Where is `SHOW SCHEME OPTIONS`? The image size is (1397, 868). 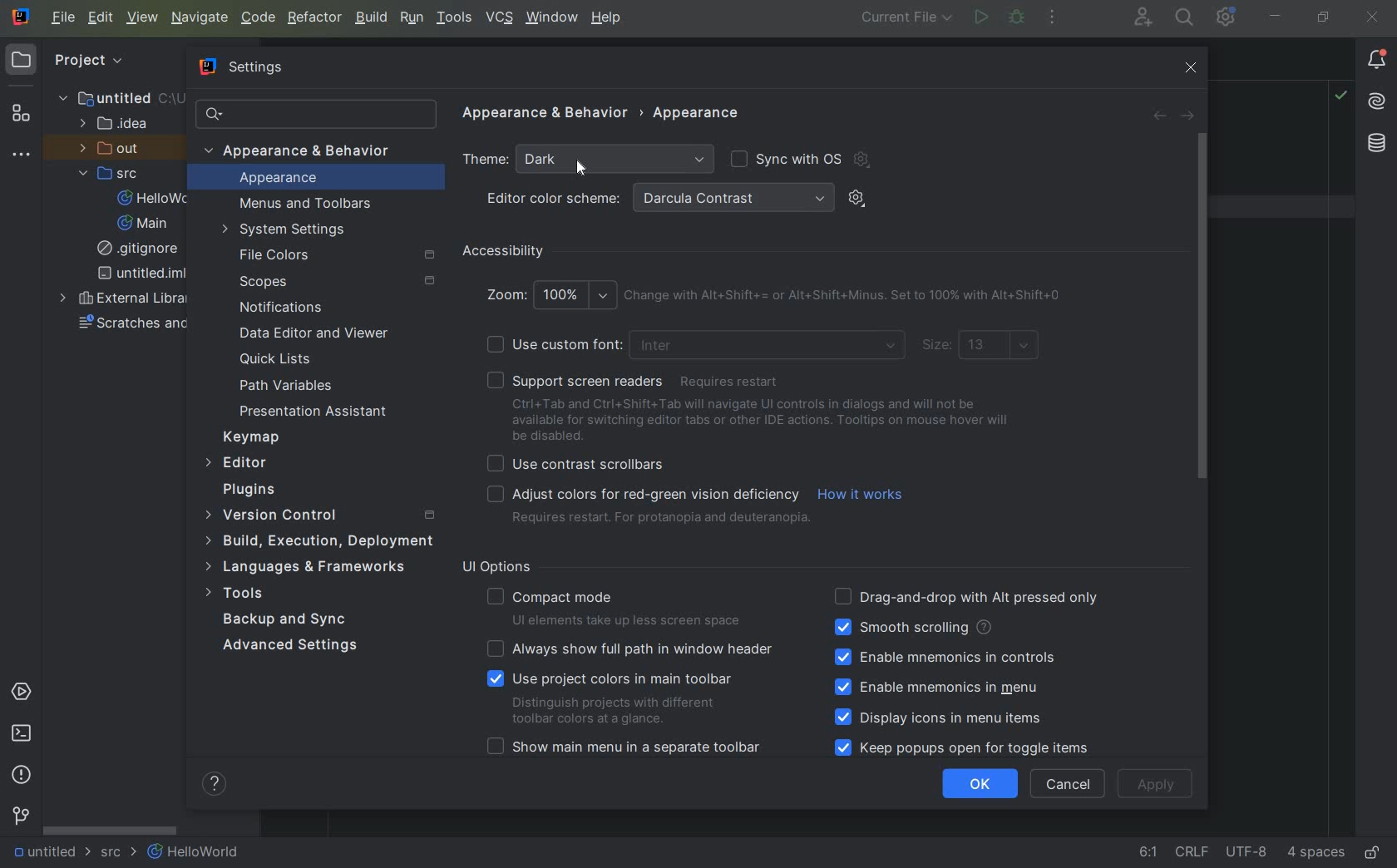 SHOW SCHEME OPTIONS is located at coordinates (858, 197).